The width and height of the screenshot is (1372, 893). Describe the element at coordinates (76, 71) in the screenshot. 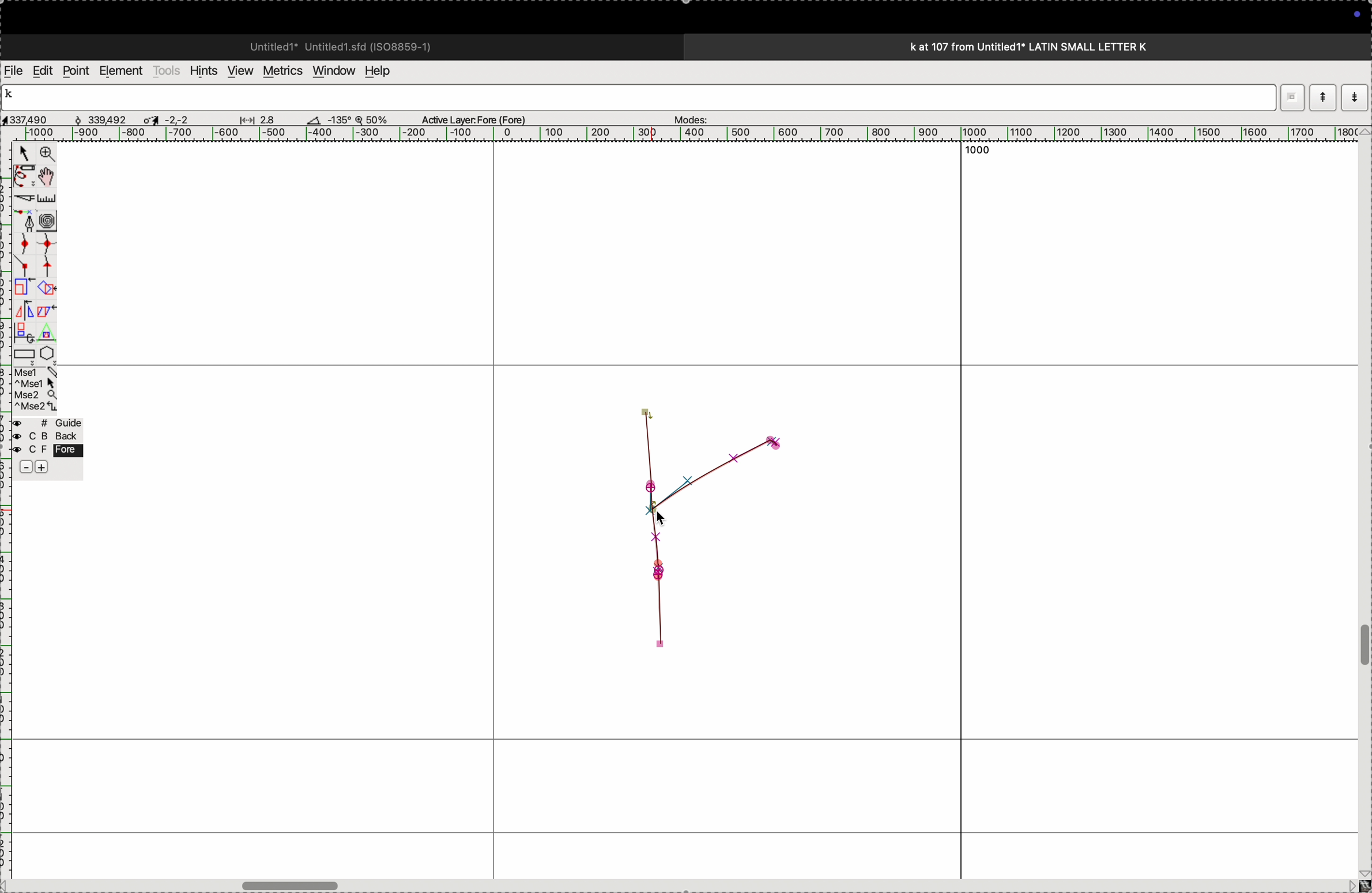

I see `point` at that location.